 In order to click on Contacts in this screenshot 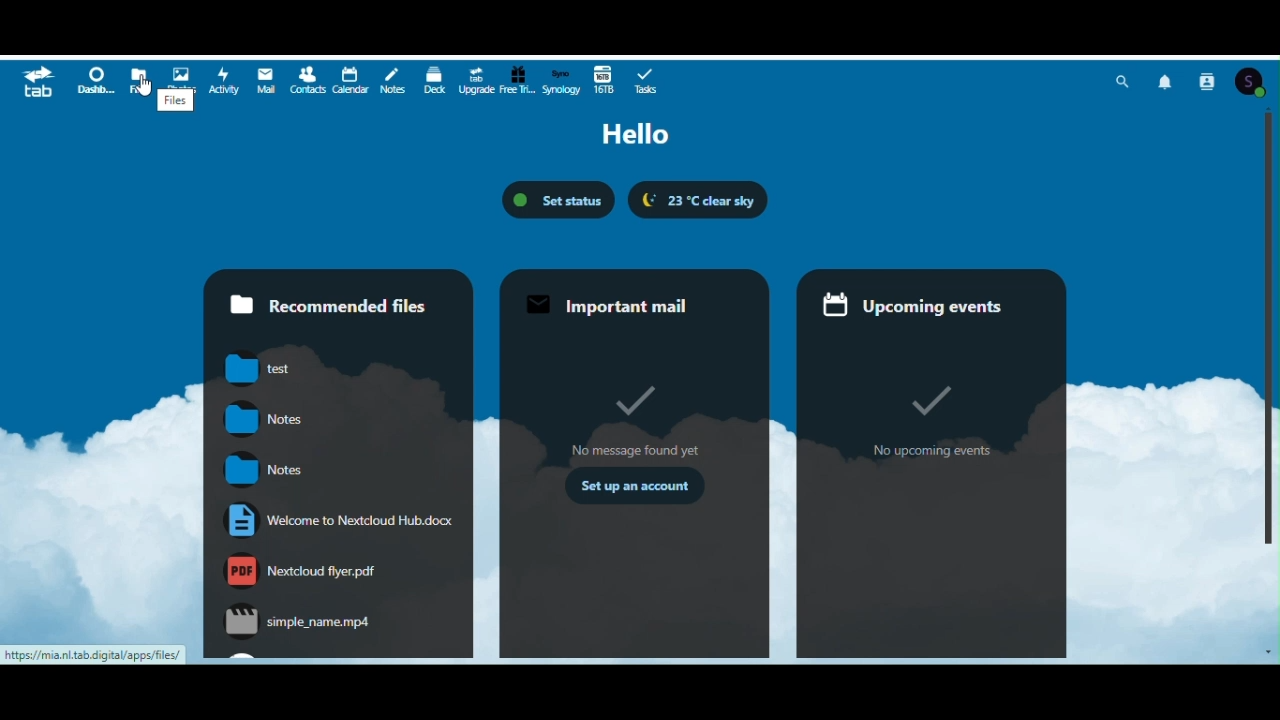, I will do `click(309, 81)`.